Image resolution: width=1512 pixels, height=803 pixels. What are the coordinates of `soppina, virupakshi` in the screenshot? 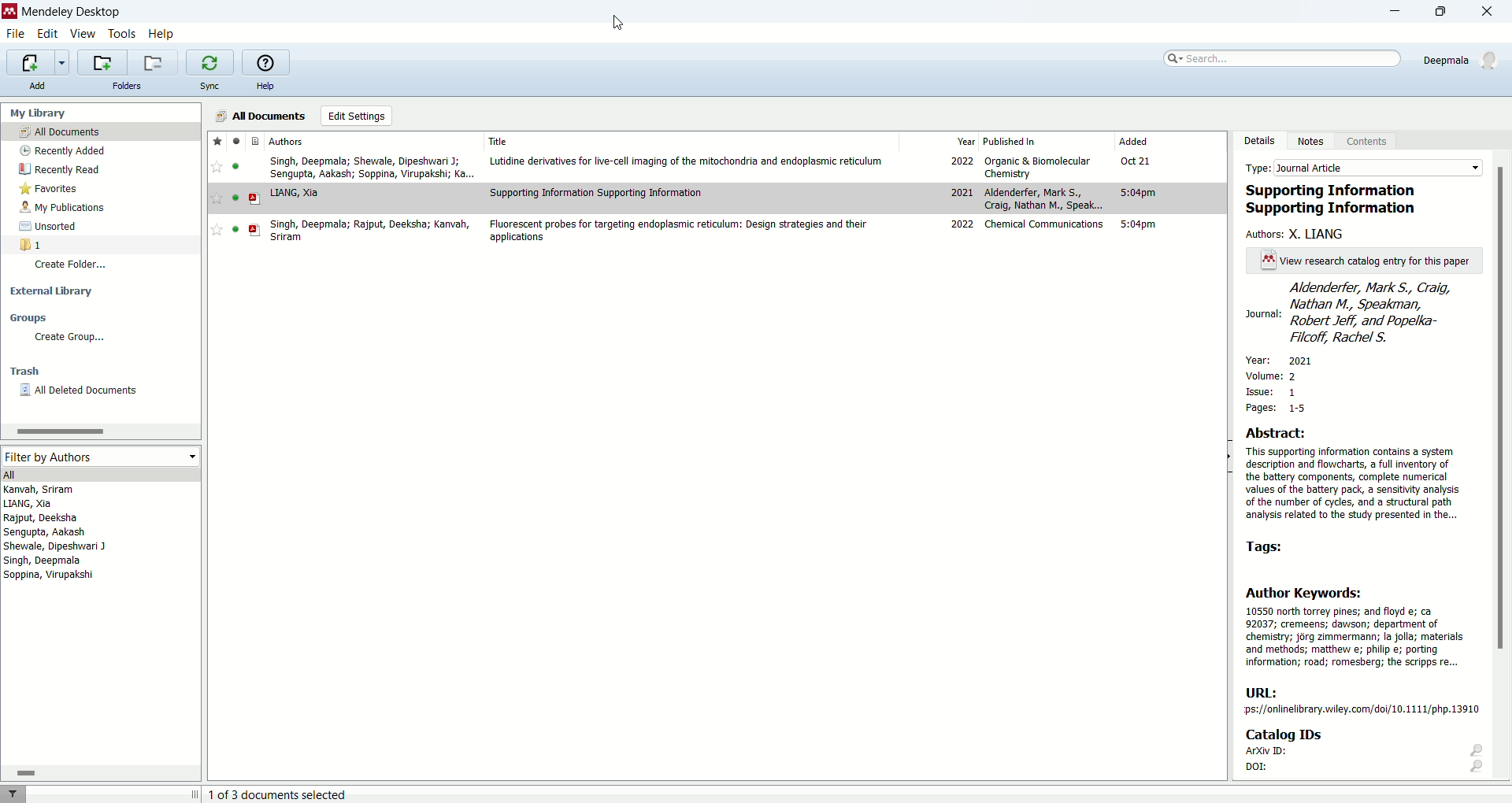 It's located at (50, 574).